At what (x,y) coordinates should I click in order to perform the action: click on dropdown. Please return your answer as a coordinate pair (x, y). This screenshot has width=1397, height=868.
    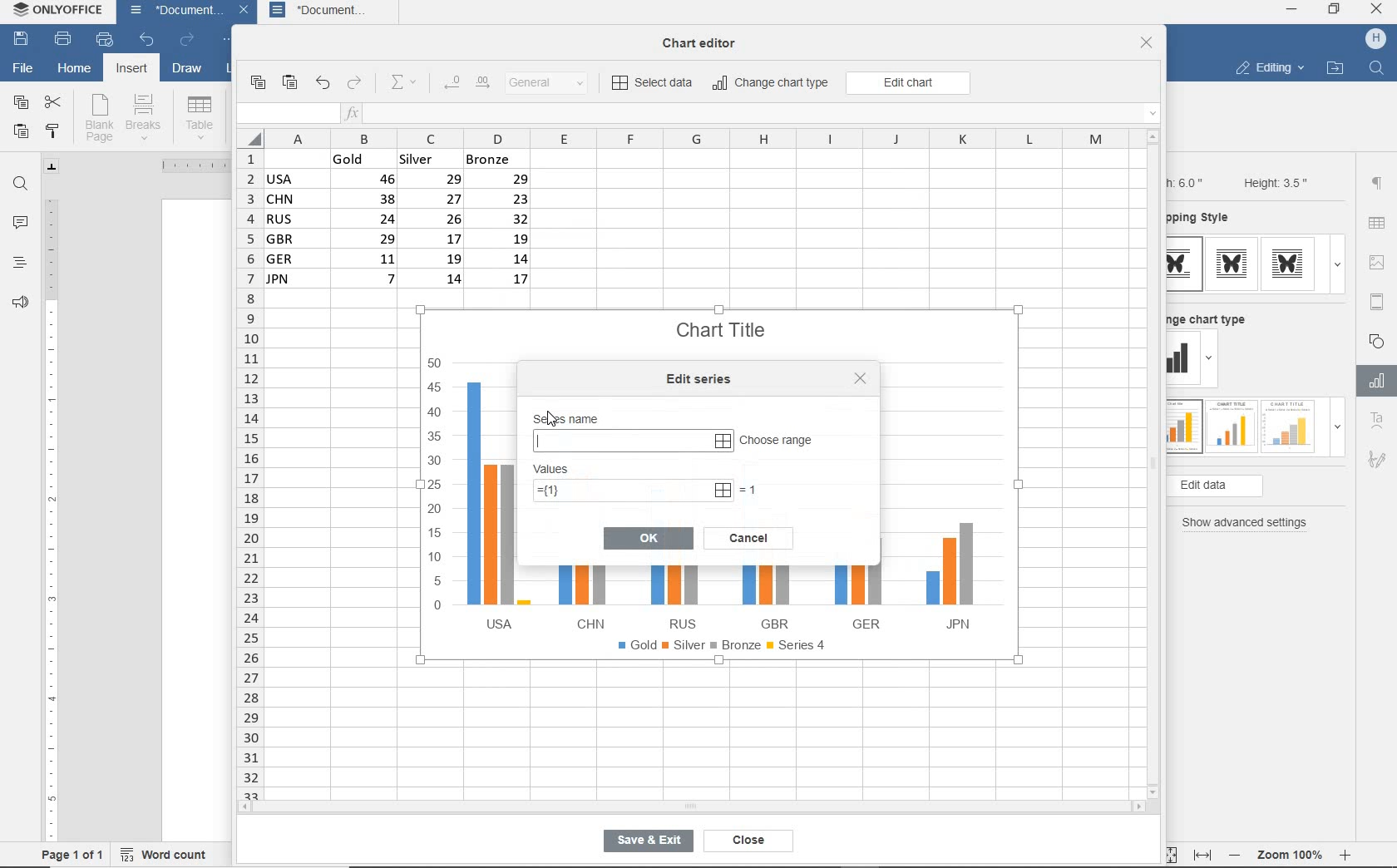
    Looking at the image, I should click on (1337, 432).